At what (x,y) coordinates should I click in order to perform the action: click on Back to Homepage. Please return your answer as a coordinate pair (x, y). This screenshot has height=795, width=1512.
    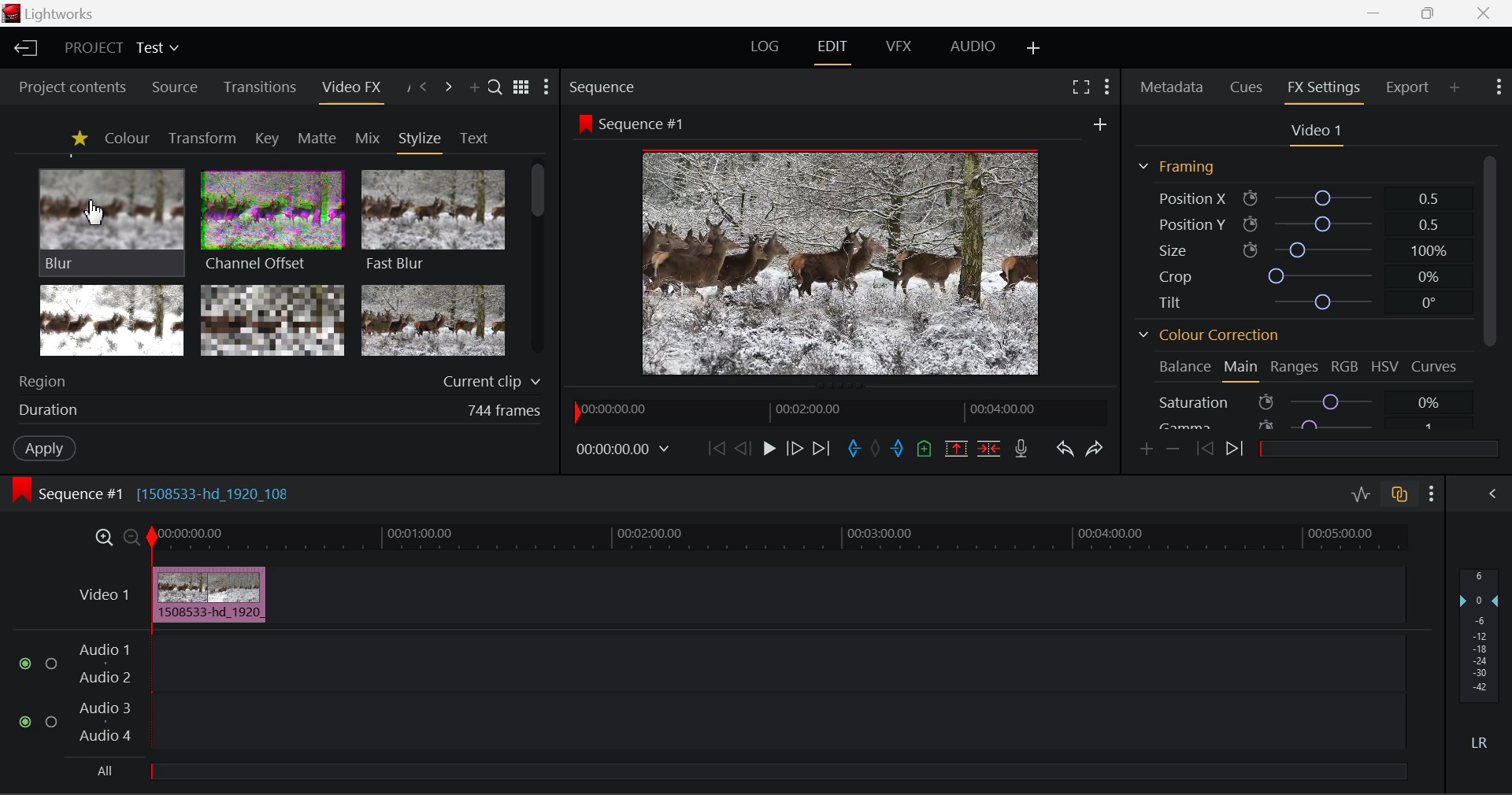
    Looking at the image, I should click on (23, 49).